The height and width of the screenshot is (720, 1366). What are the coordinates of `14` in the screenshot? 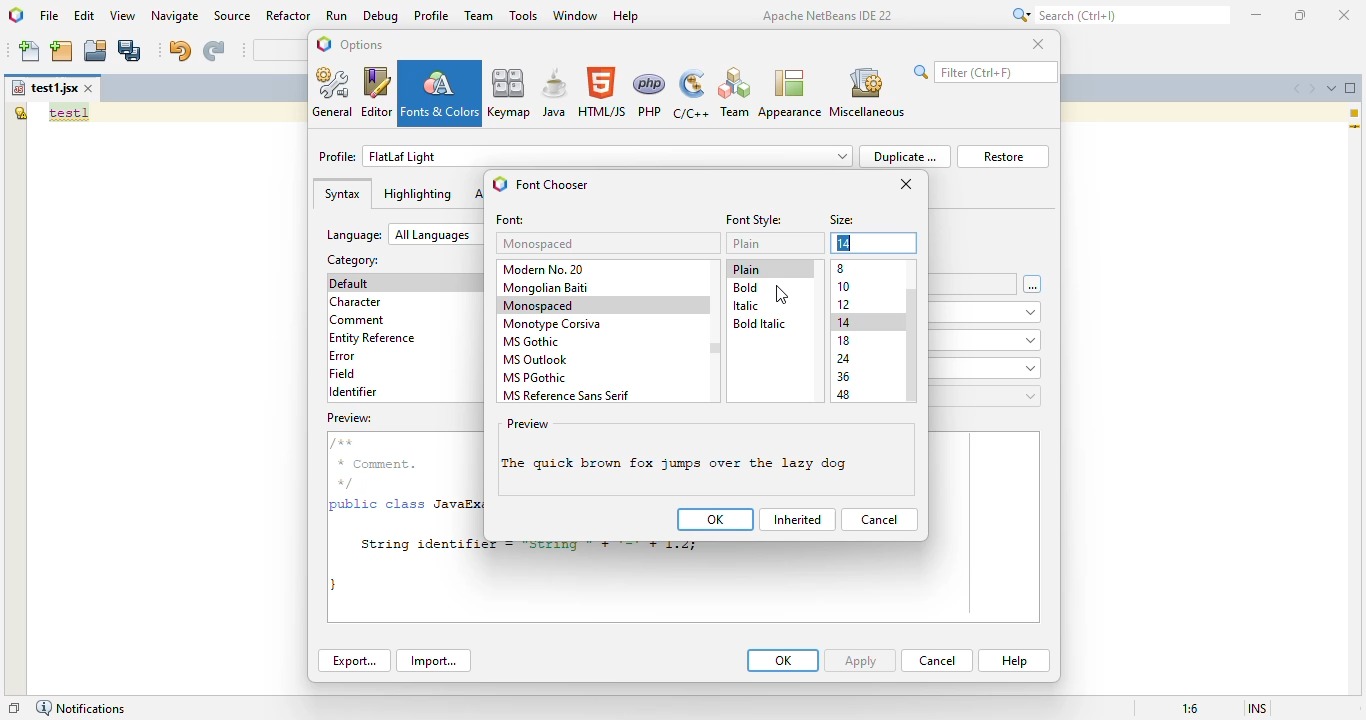 It's located at (845, 243).